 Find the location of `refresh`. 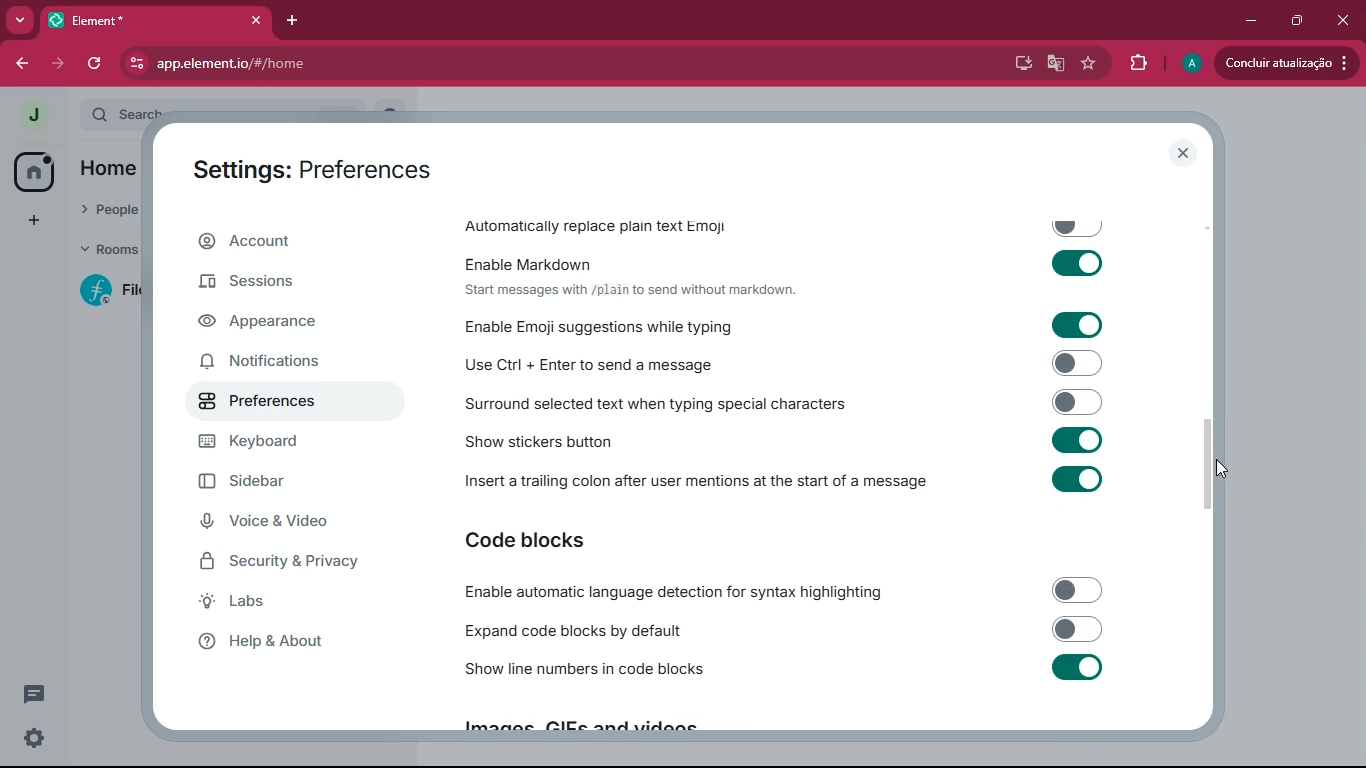

refresh is located at coordinates (94, 65).